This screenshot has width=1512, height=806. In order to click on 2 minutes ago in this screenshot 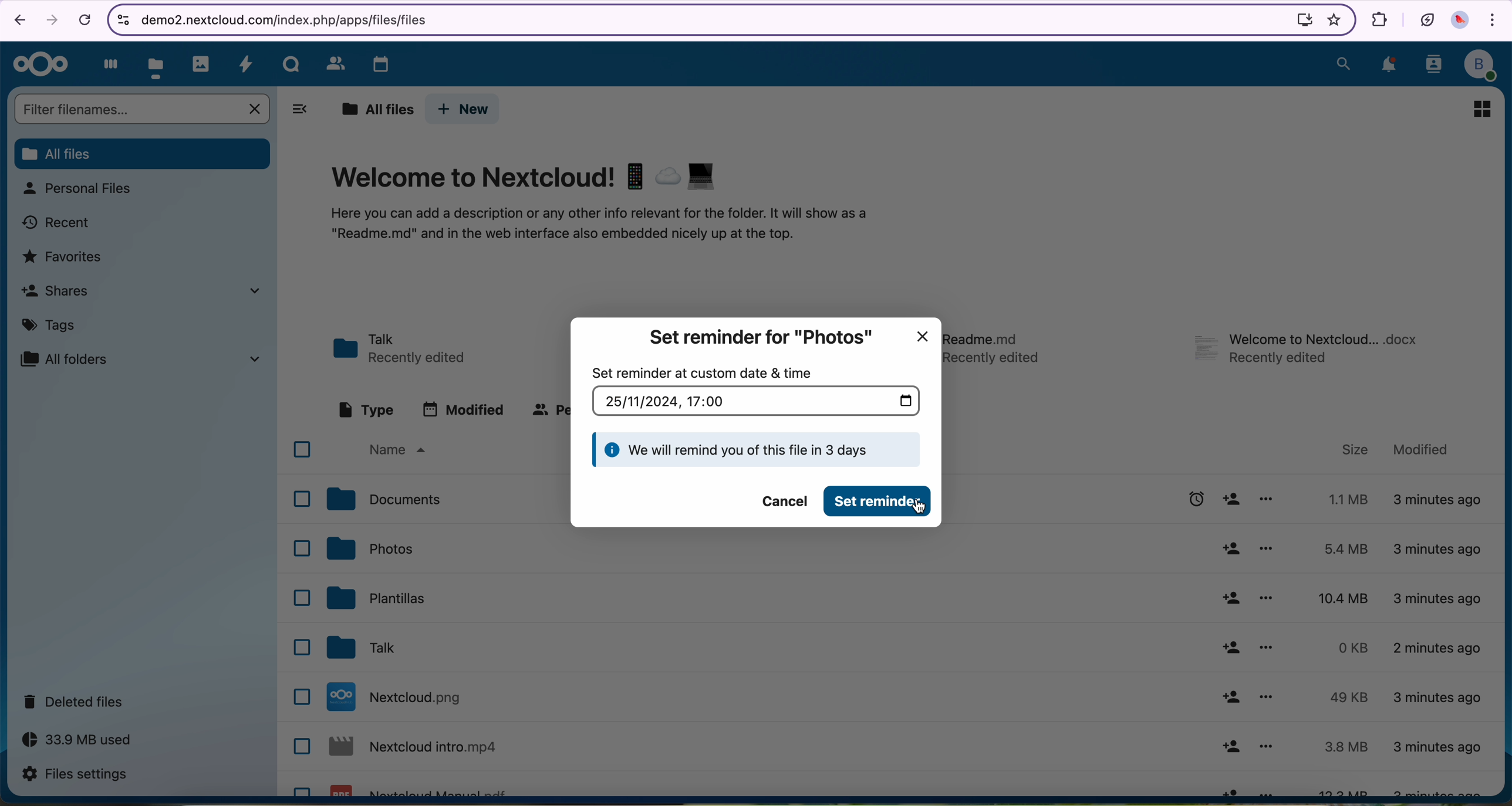, I will do `click(1440, 502)`.